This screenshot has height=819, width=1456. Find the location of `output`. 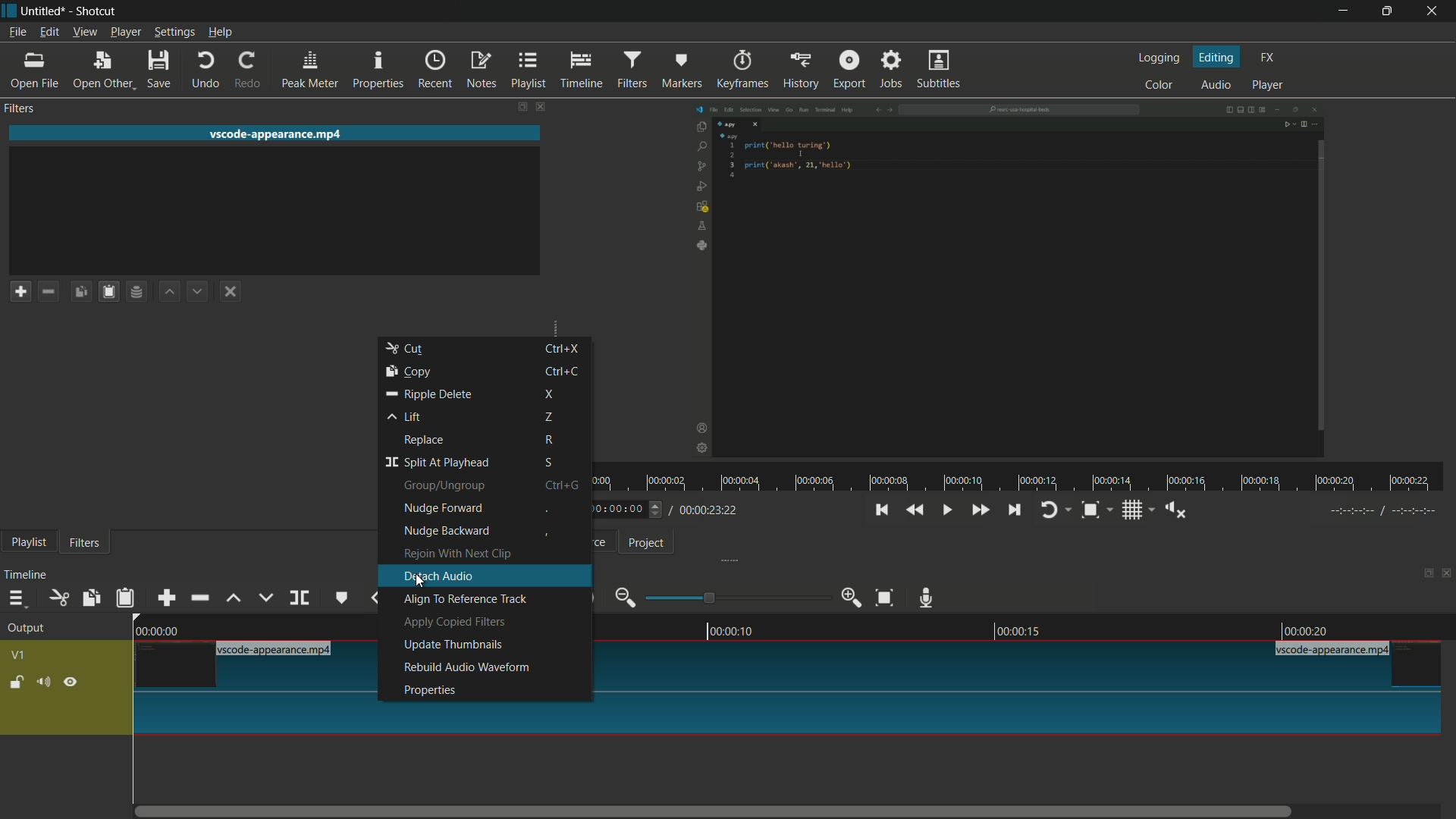

output is located at coordinates (26, 629).